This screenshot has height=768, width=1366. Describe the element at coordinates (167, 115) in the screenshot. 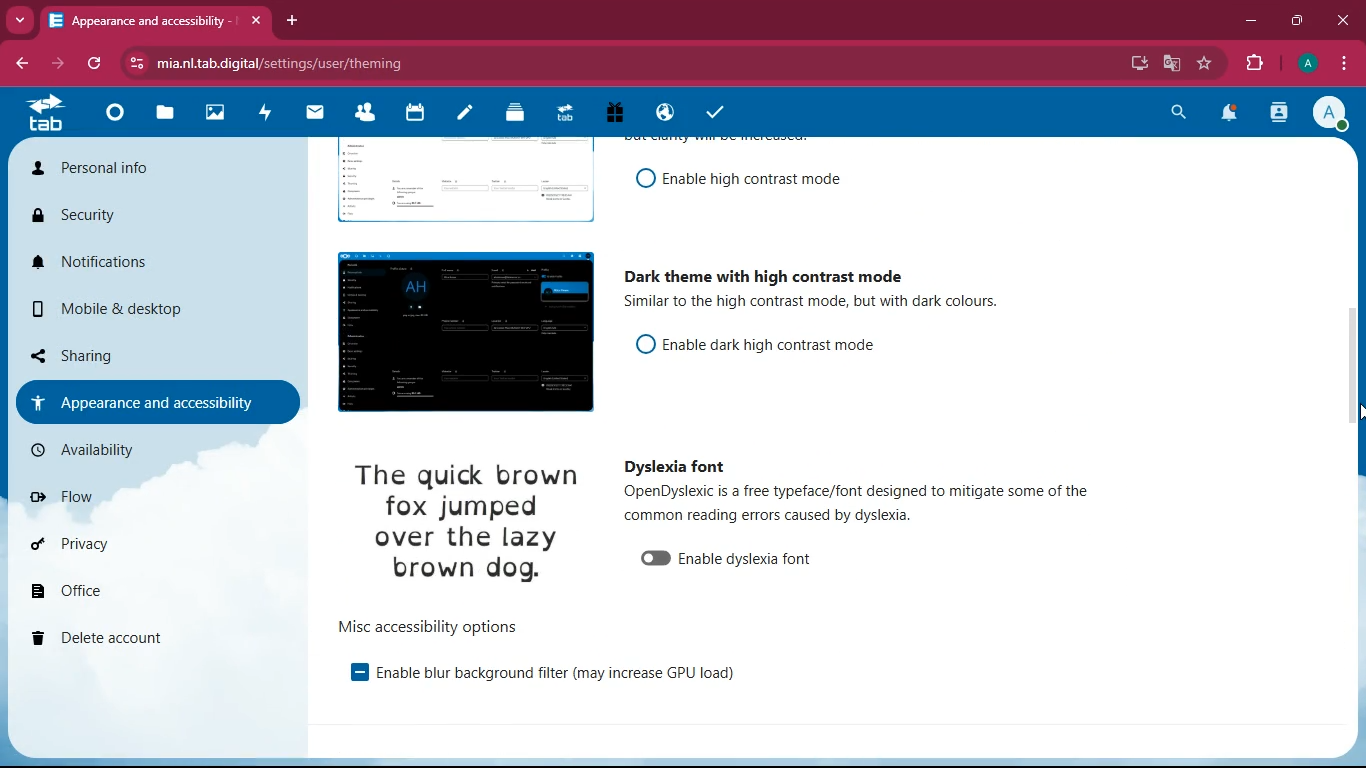

I see `files` at that location.